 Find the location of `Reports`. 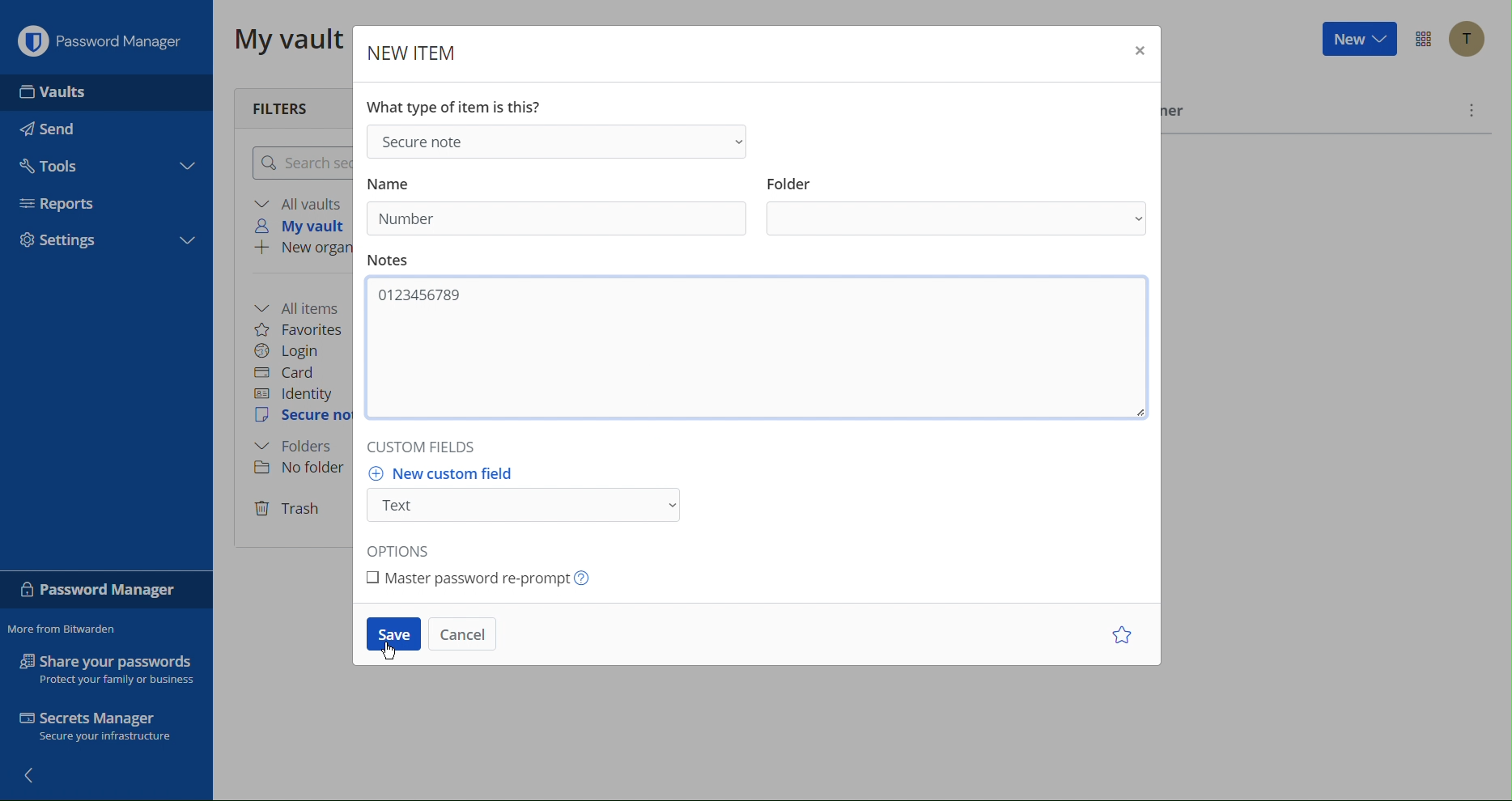

Reports is located at coordinates (63, 204).